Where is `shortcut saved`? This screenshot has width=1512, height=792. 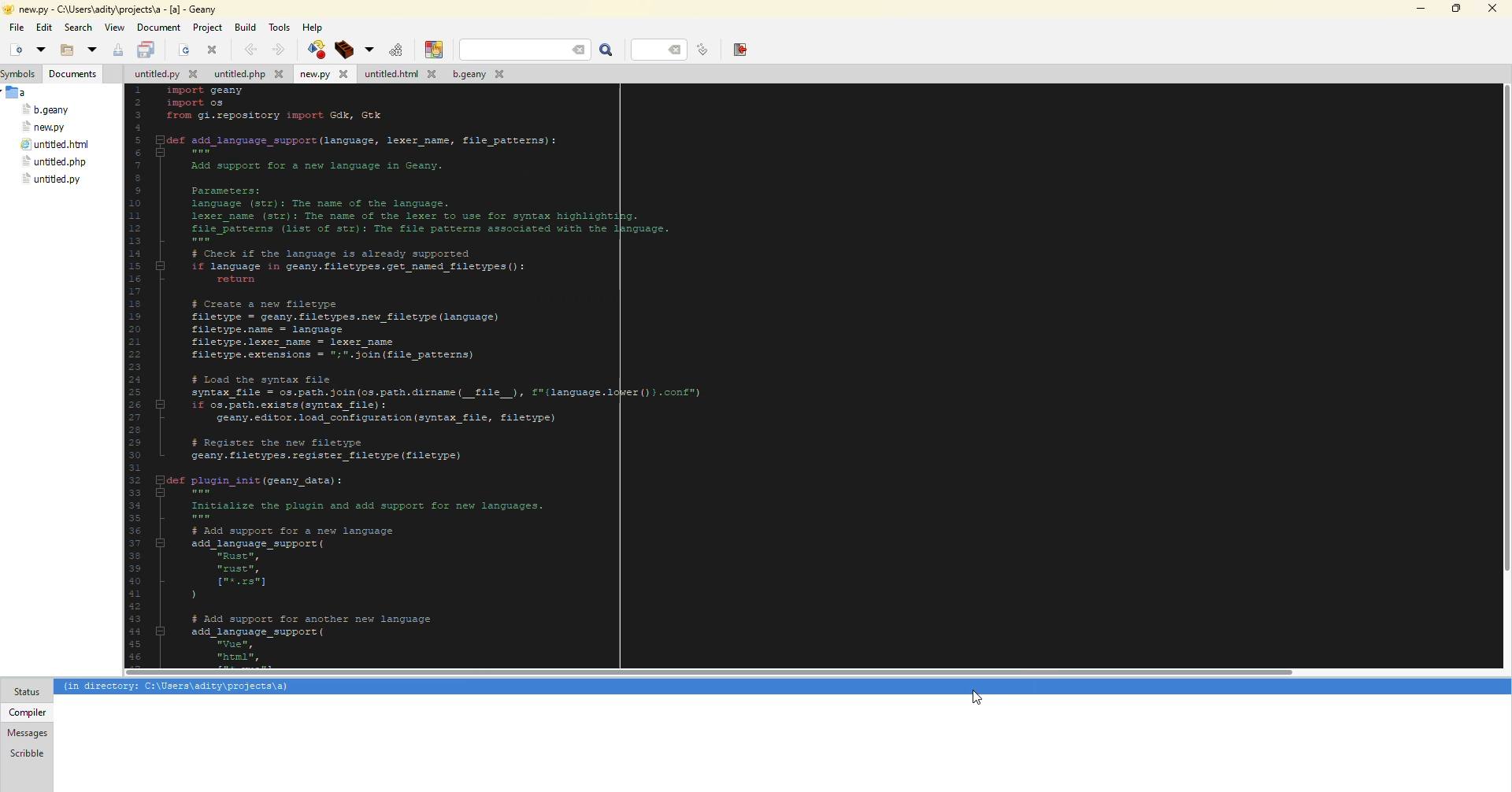 shortcut saved is located at coordinates (980, 698).